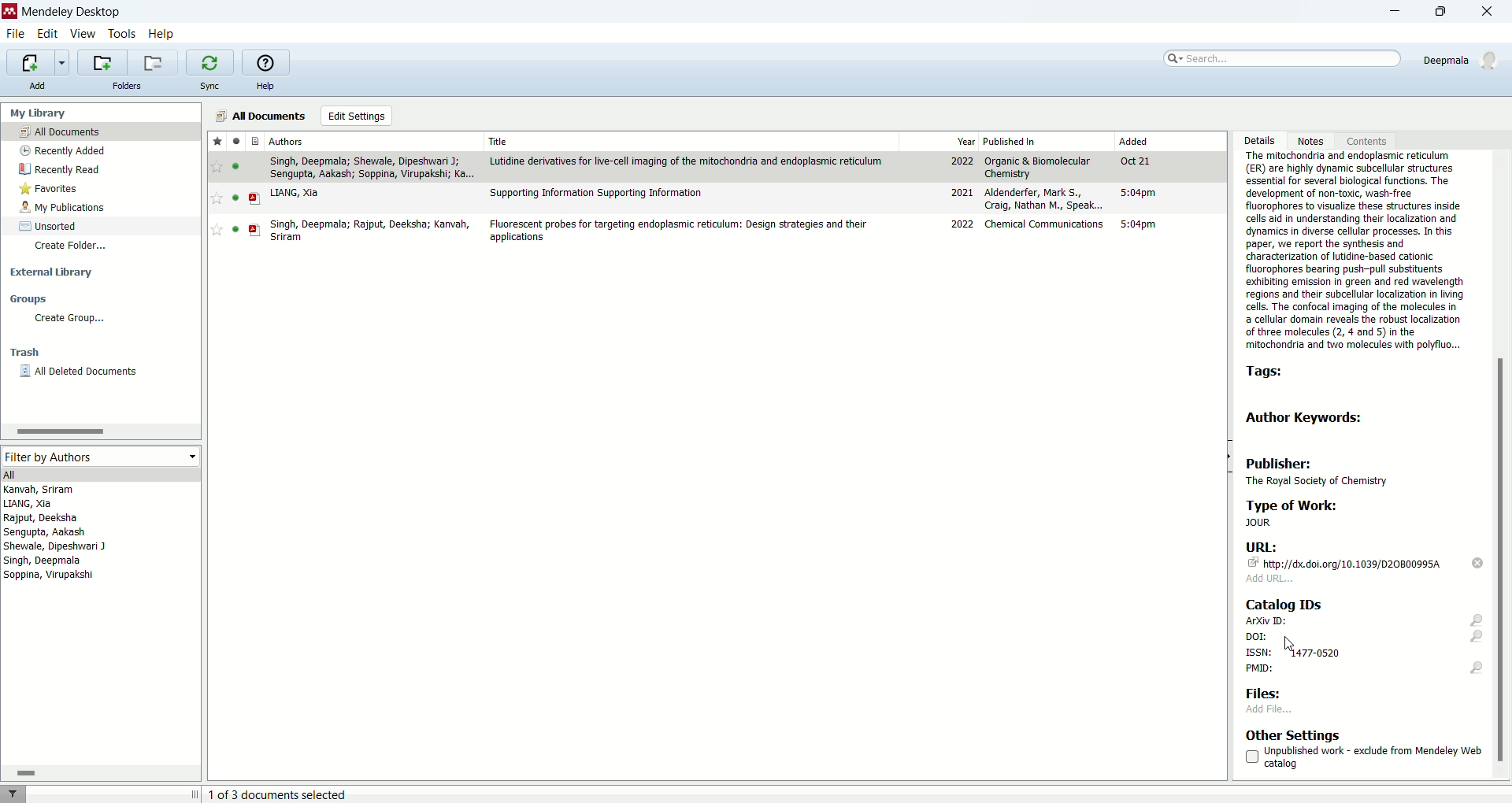  Describe the element at coordinates (1366, 622) in the screenshot. I see `arxiv ID: ` at that location.